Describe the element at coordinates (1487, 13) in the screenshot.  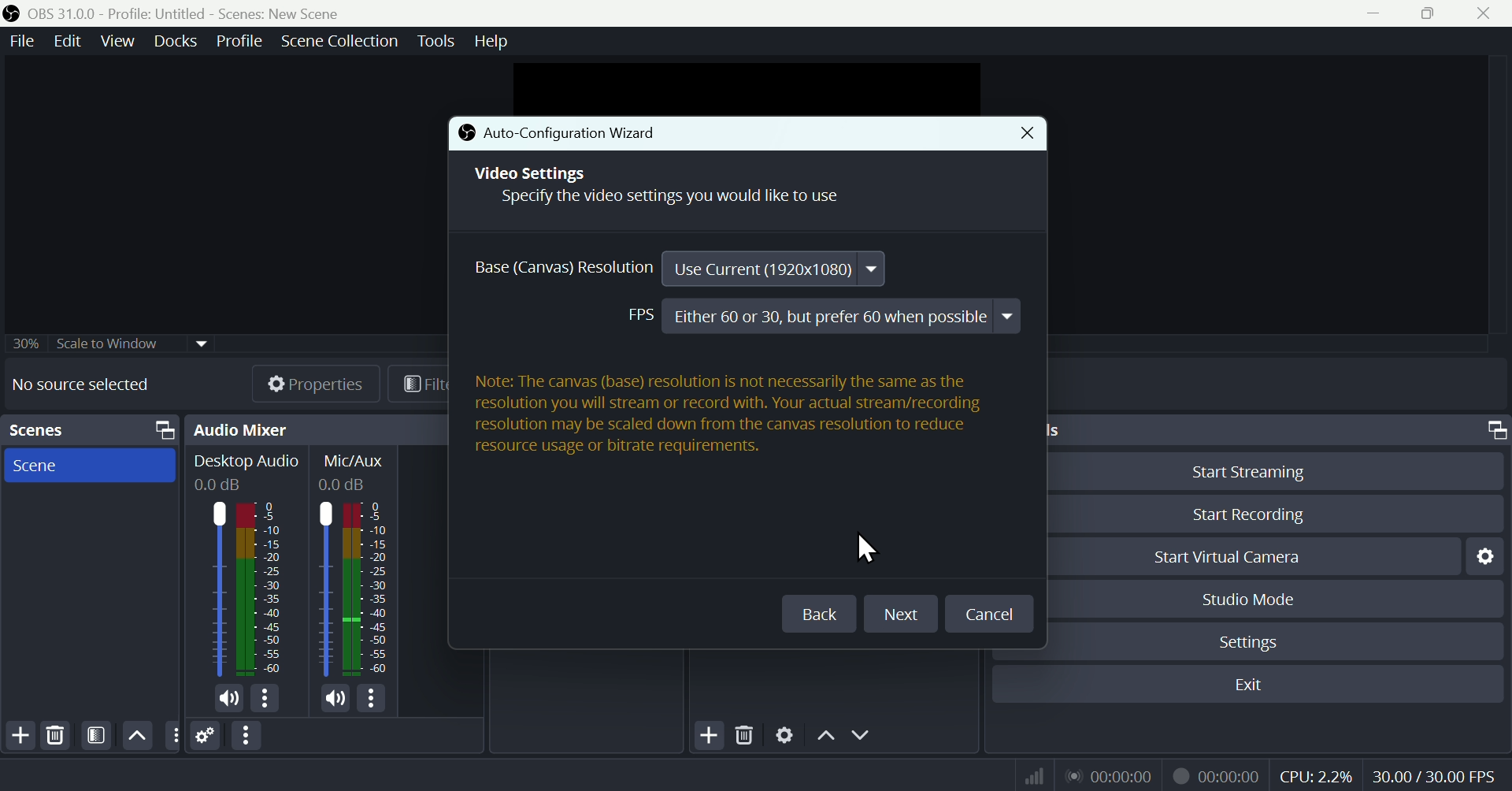
I see `close` at that location.